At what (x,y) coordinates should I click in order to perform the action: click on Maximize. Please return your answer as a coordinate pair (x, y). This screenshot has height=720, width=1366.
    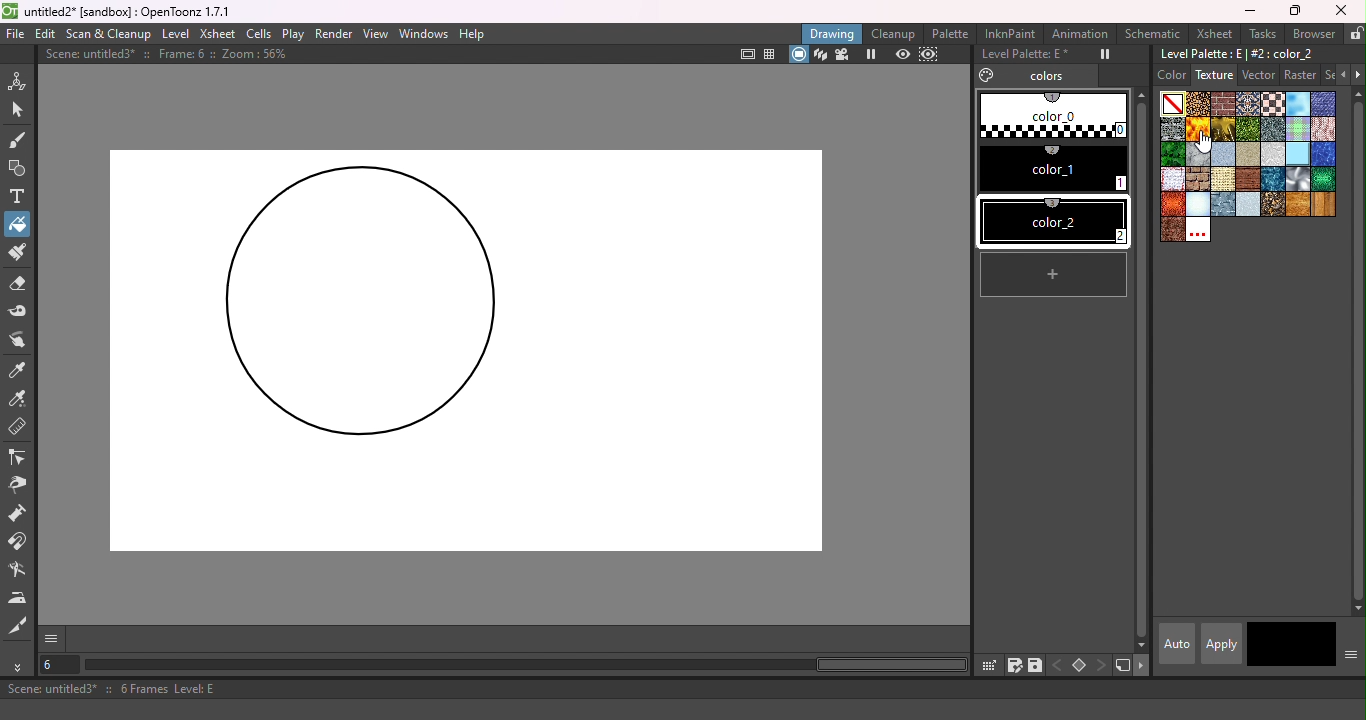
    Looking at the image, I should click on (1291, 11).